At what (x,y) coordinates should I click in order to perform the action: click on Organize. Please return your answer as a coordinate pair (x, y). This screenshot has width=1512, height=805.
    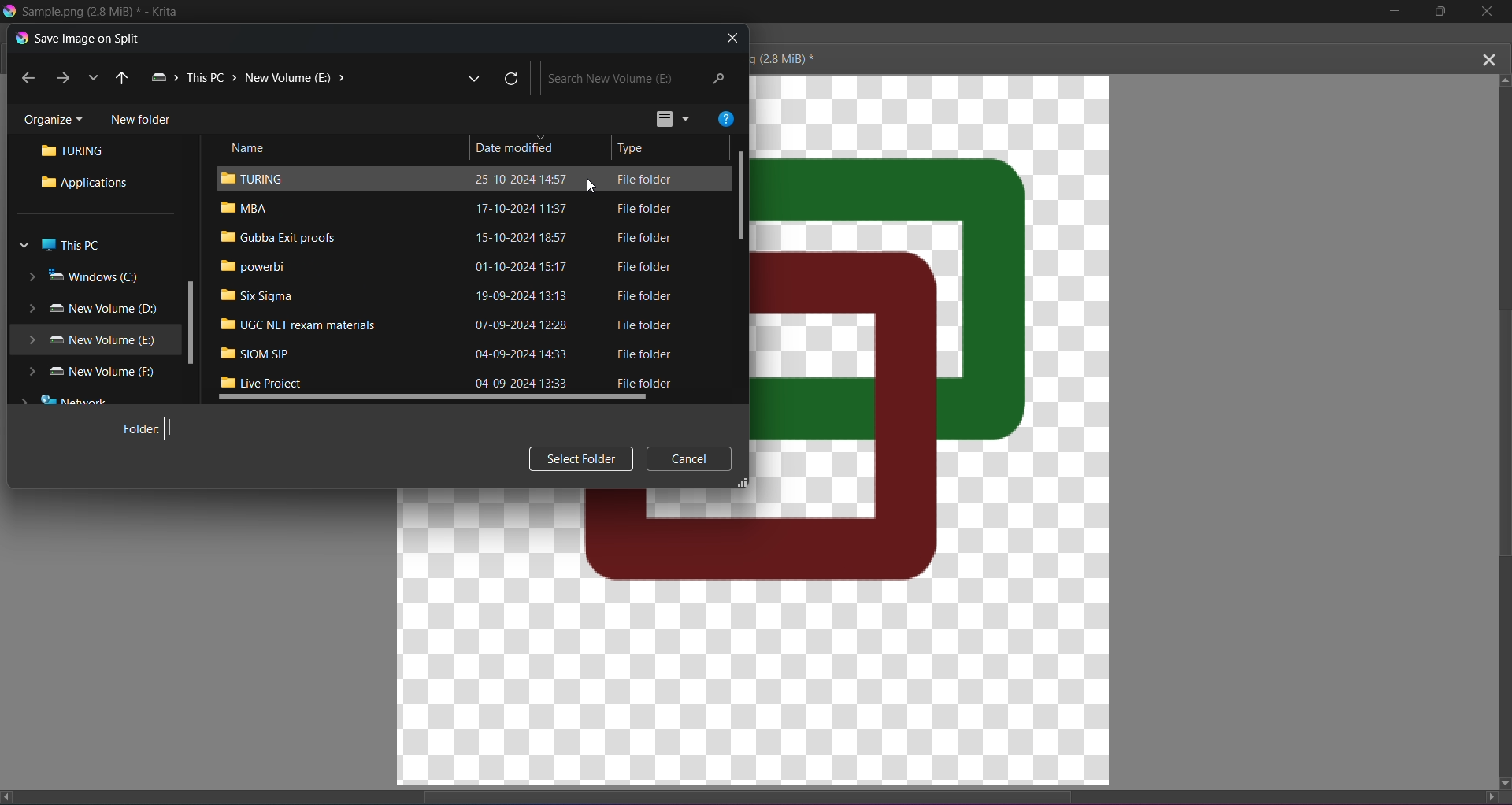
    Looking at the image, I should click on (51, 119).